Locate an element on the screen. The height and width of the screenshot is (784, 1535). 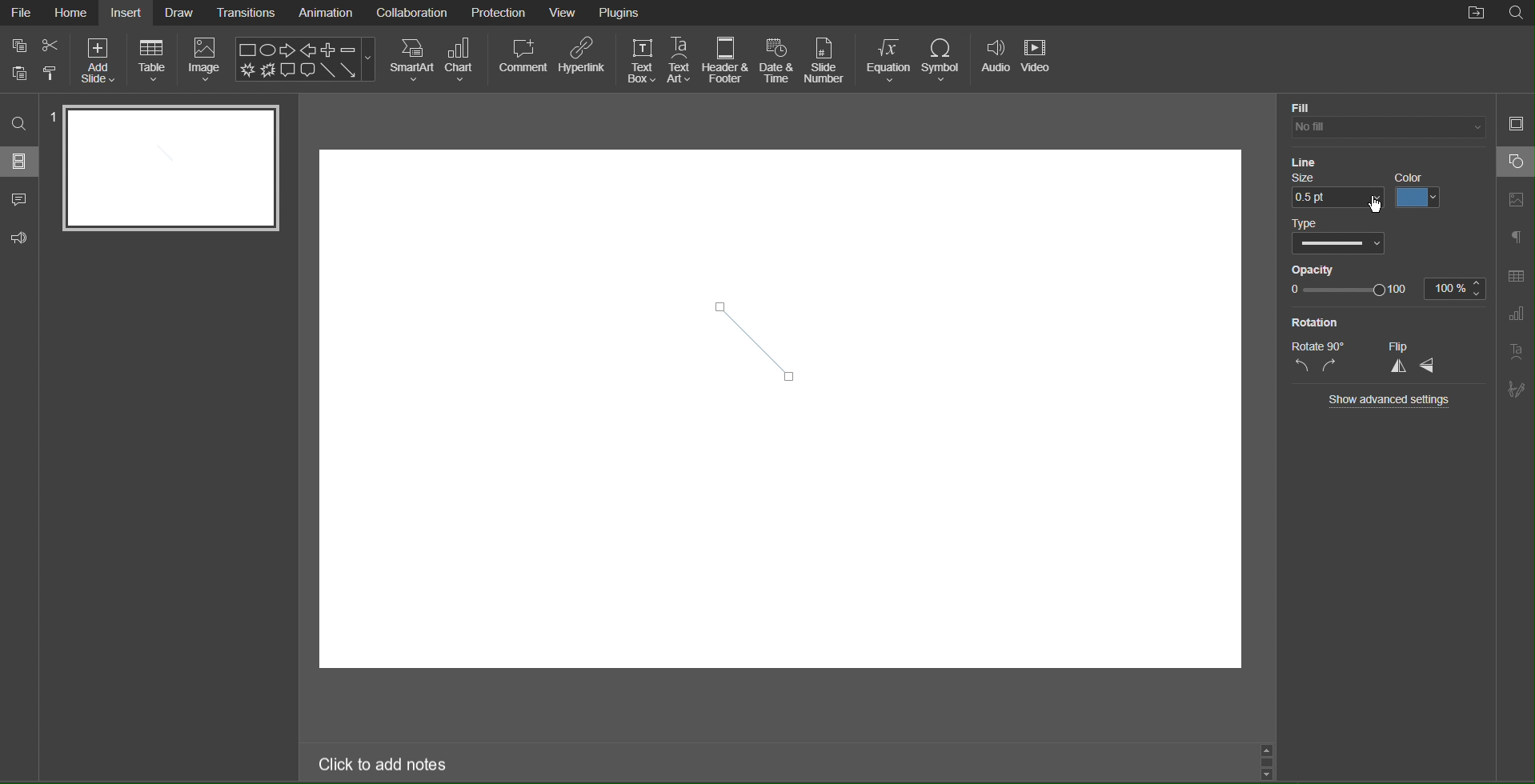
Horizontal Flip is located at coordinates (1433, 368).